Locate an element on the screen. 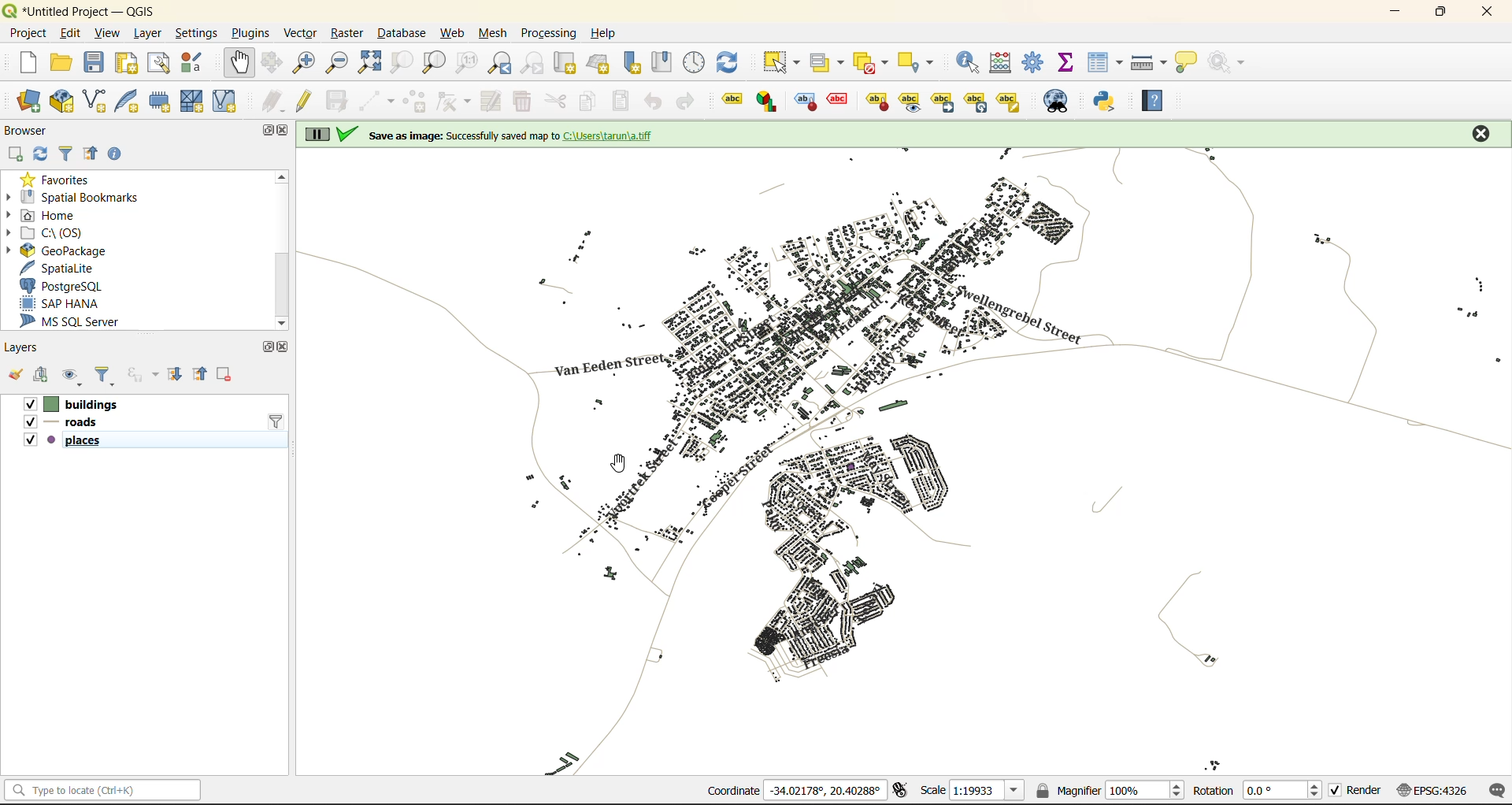  settings is located at coordinates (198, 34).